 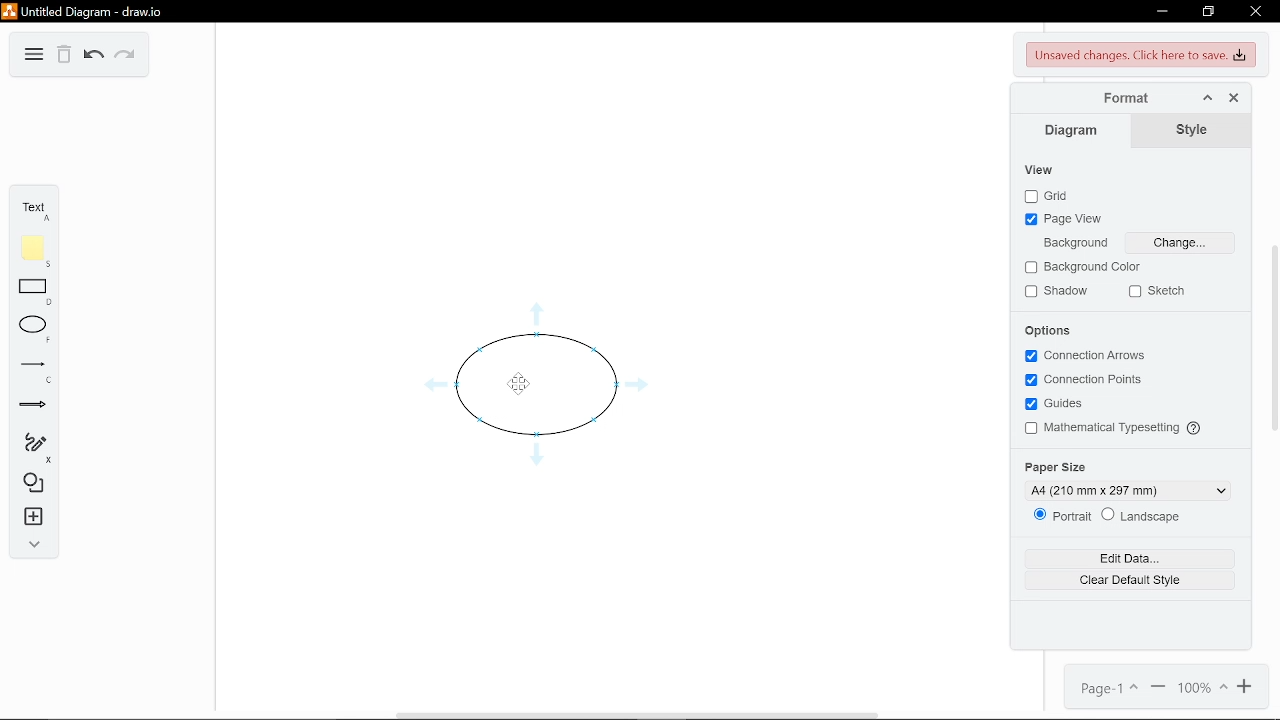 What do you see at coordinates (1096, 379) in the screenshot?
I see `Connection points` at bounding box center [1096, 379].